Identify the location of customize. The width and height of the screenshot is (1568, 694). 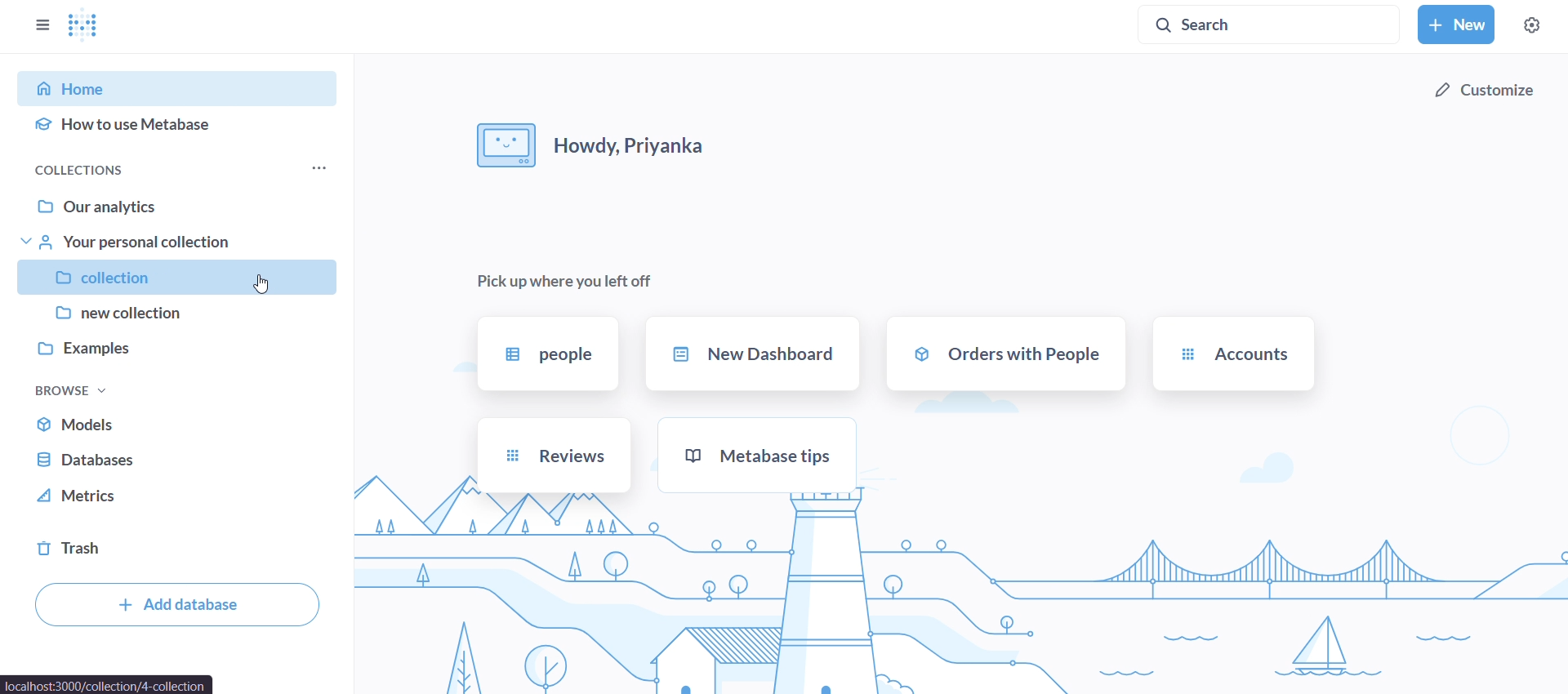
(1483, 94).